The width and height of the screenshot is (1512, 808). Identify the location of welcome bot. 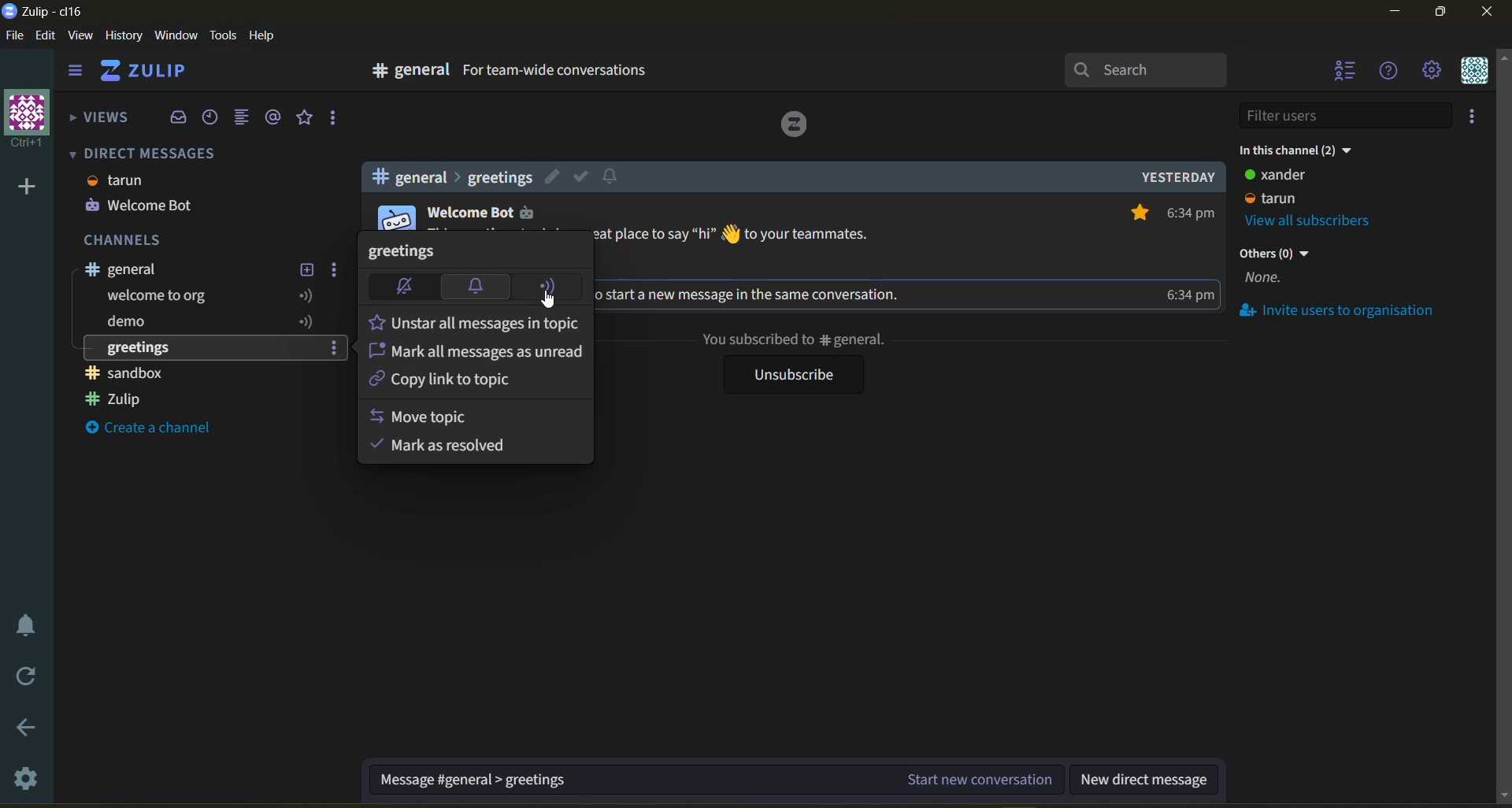
(468, 215).